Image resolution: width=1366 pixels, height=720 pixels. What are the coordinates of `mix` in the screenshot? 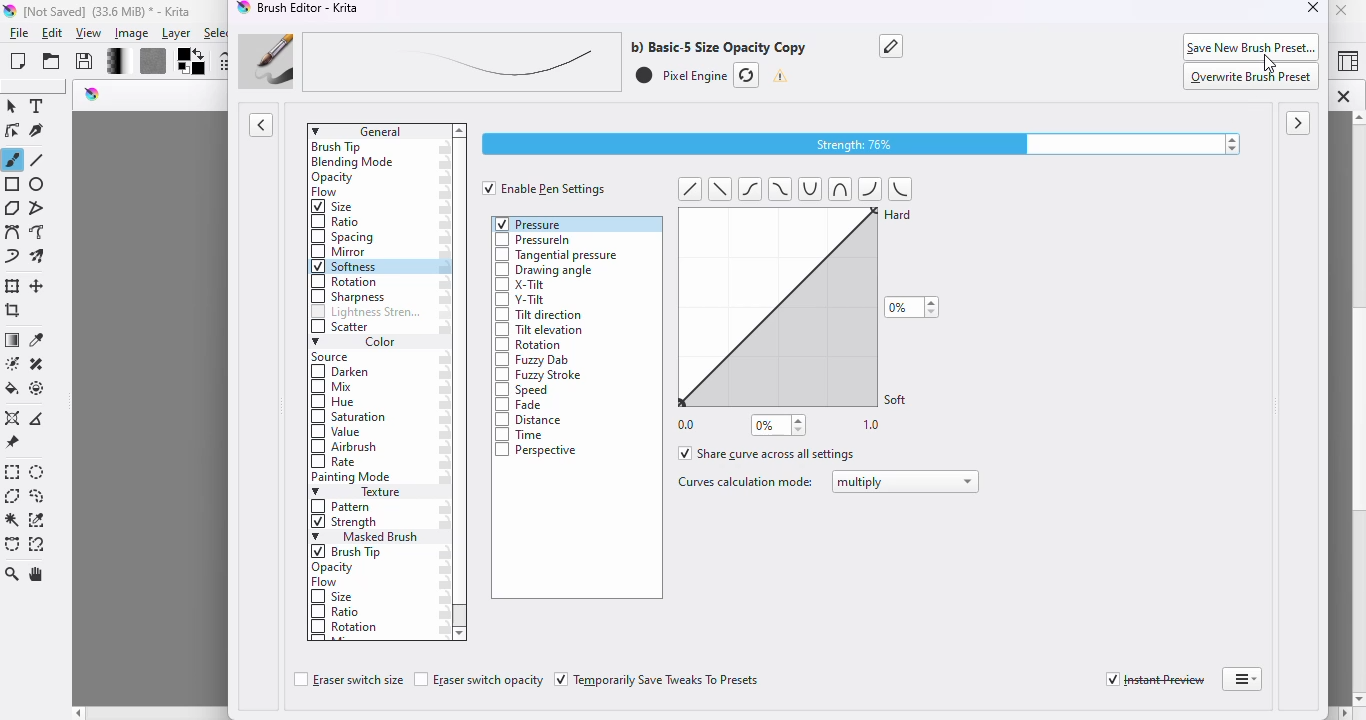 It's located at (335, 388).